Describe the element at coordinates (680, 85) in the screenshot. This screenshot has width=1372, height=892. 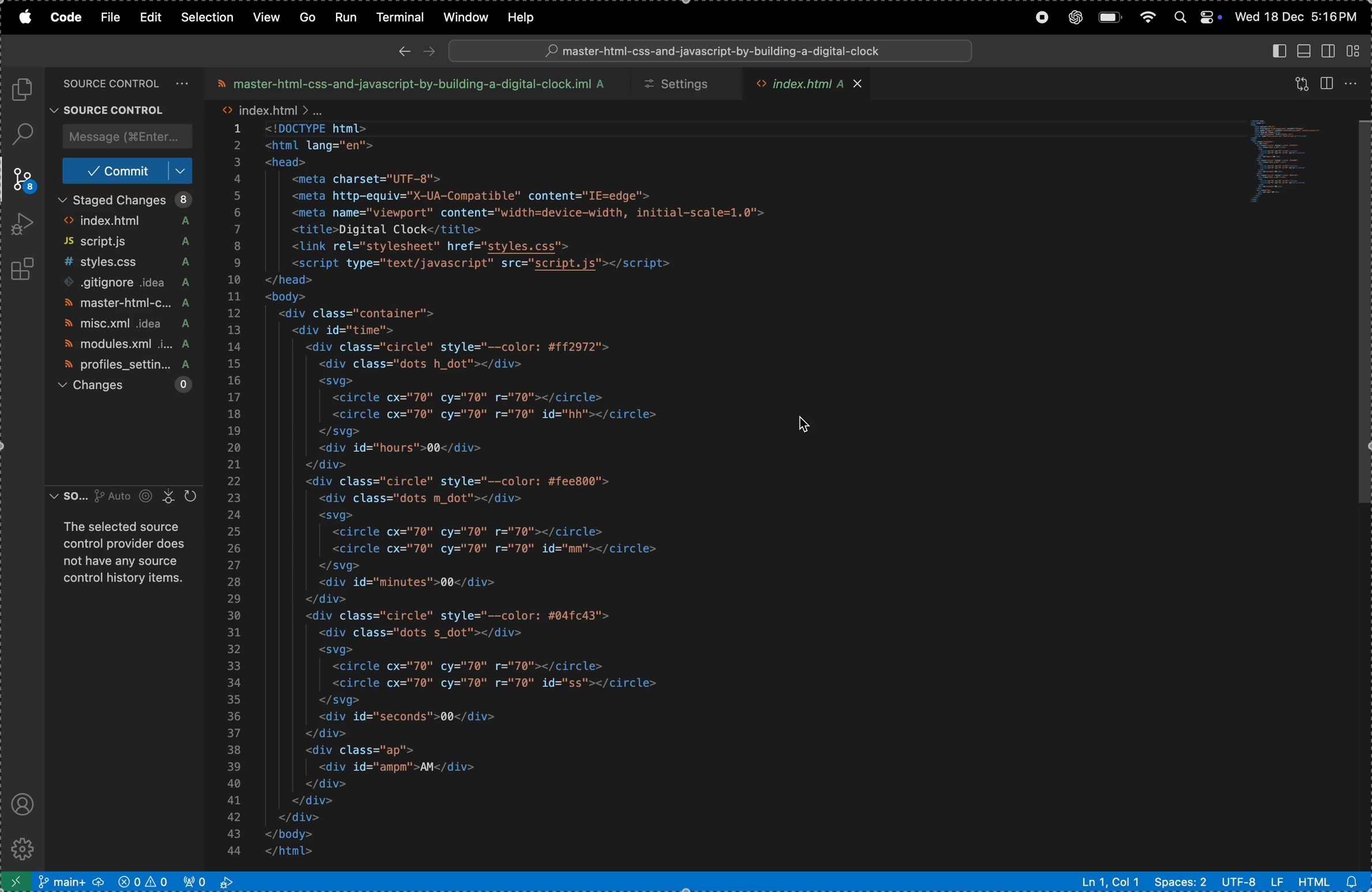
I see `settings` at that location.